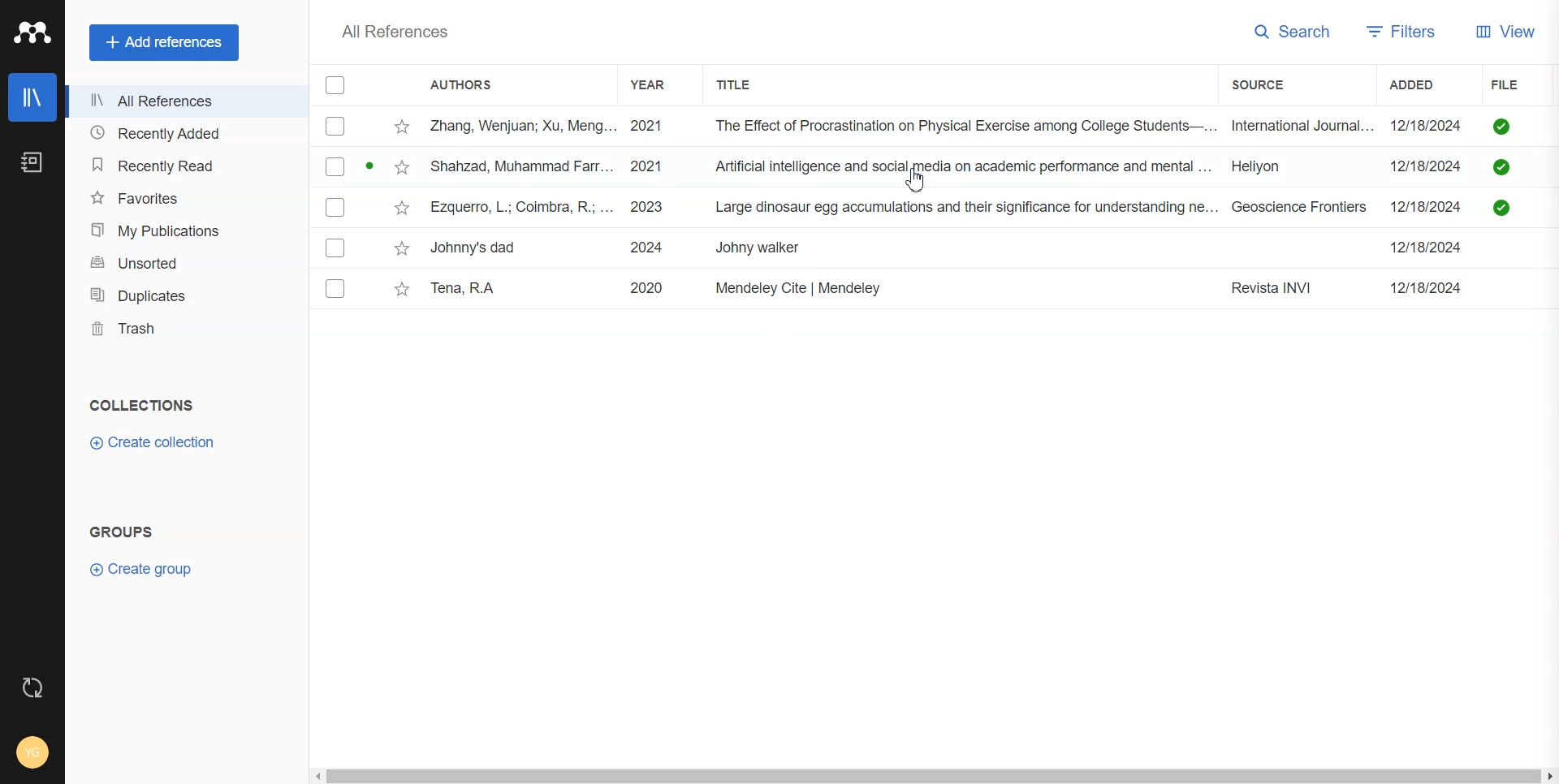 This screenshot has width=1559, height=784. I want to click on File, so click(1516, 83).